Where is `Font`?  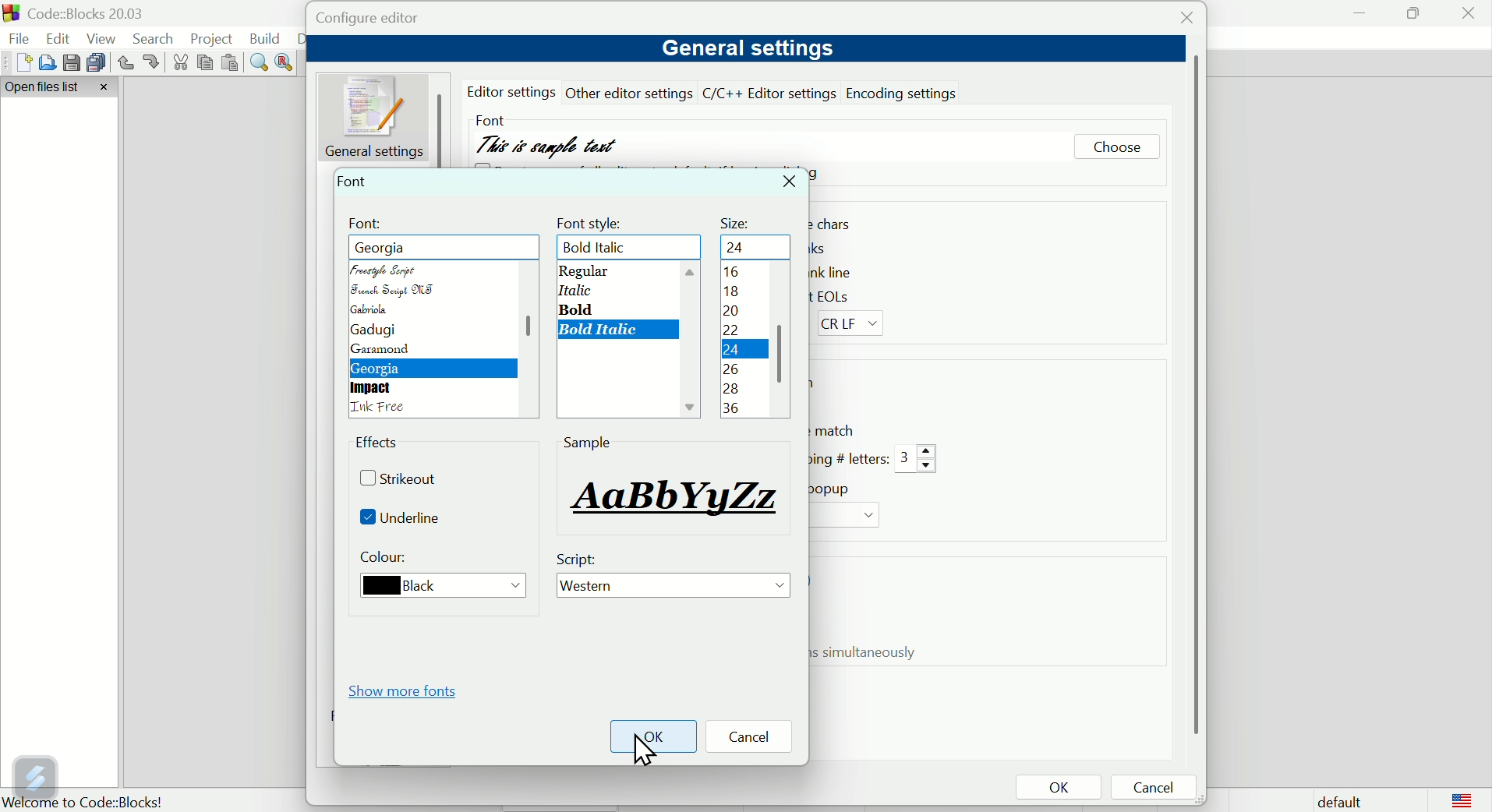 Font is located at coordinates (489, 117).